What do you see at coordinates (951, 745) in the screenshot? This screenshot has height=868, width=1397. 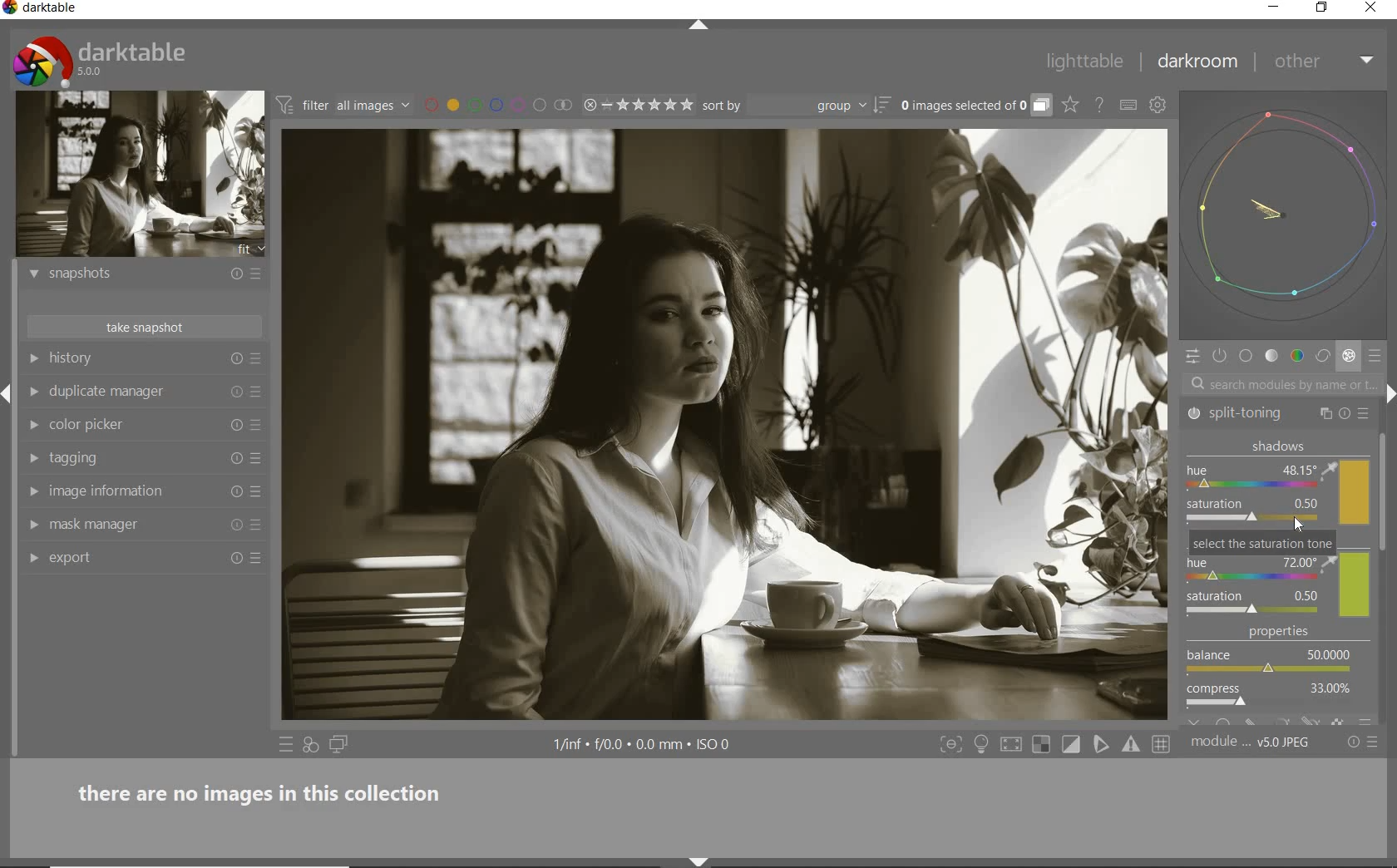 I see `shift+ctrl+f` at bounding box center [951, 745].